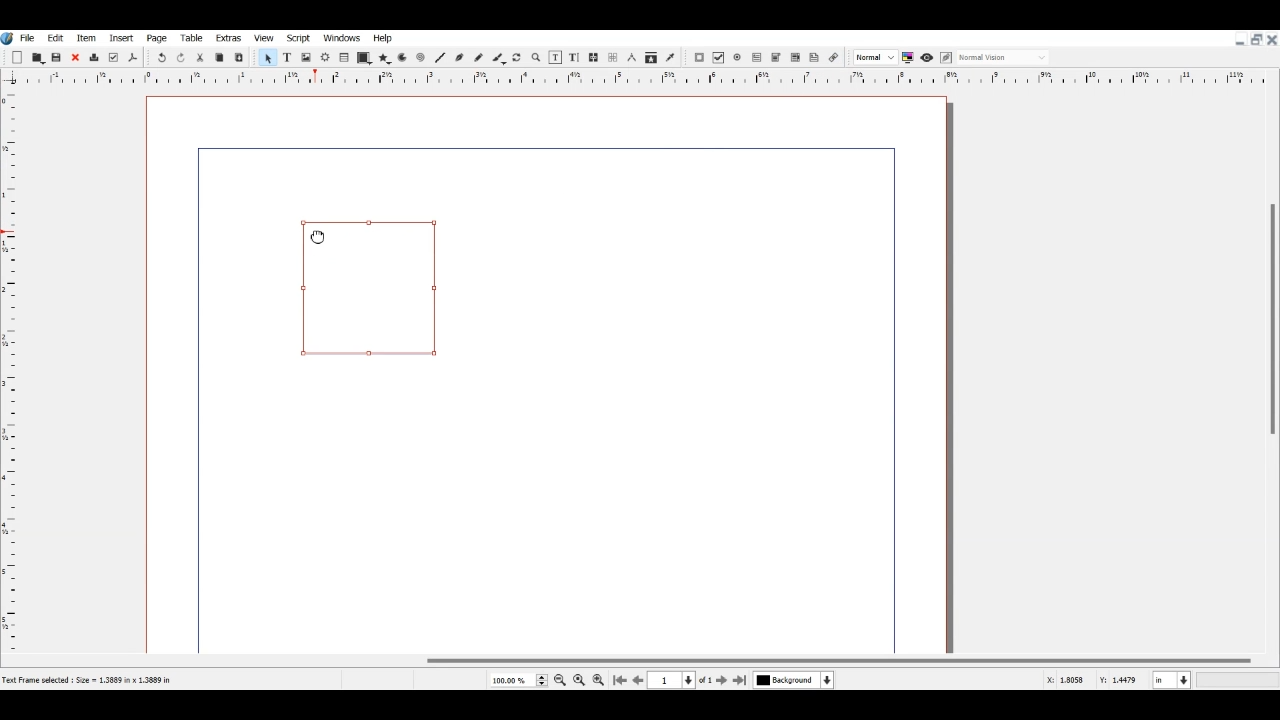 The width and height of the screenshot is (1280, 720). Describe the element at coordinates (306, 57) in the screenshot. I see `Image Frame` at that location.